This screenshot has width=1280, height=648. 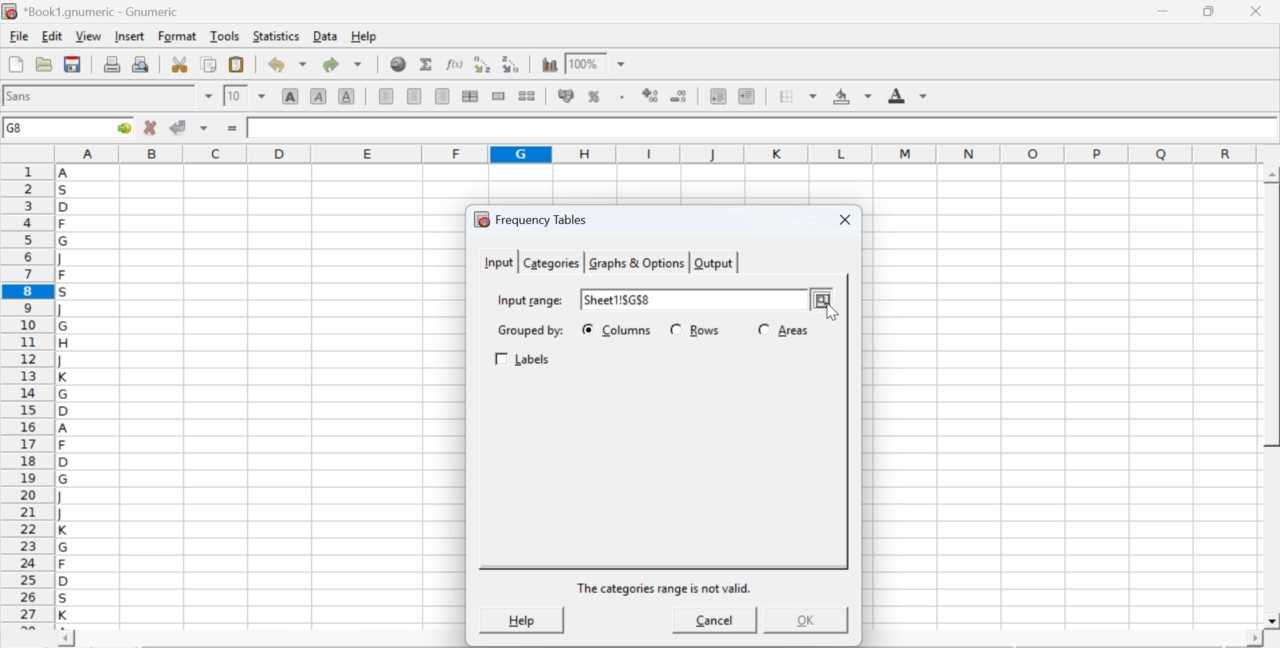 What do you see at coordinates (550, 63) in the screenshot?
I see `insert chart` at bounding box center [550, 63].